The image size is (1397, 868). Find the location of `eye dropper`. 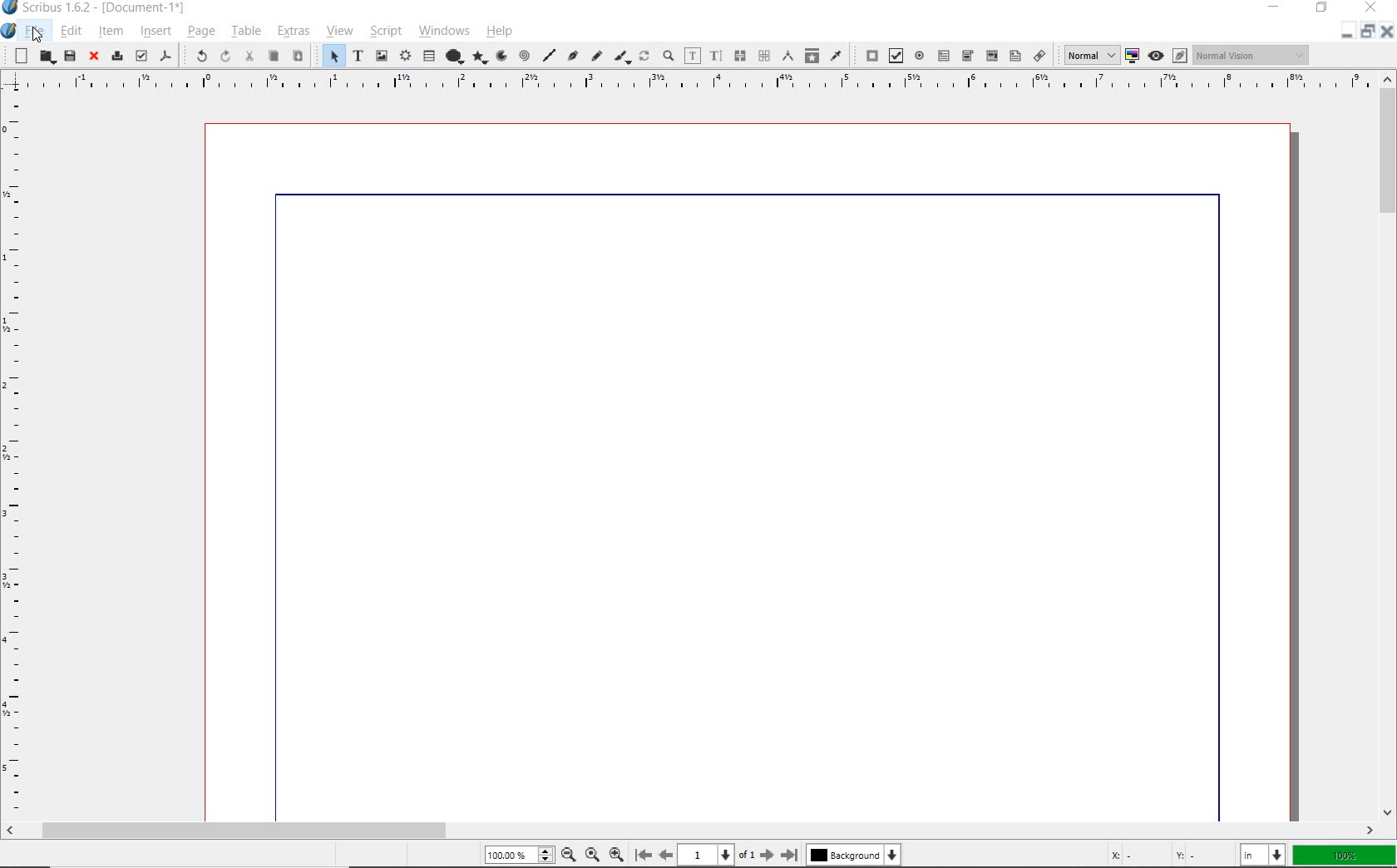

eye dropper is located at coordinates (836, 56).